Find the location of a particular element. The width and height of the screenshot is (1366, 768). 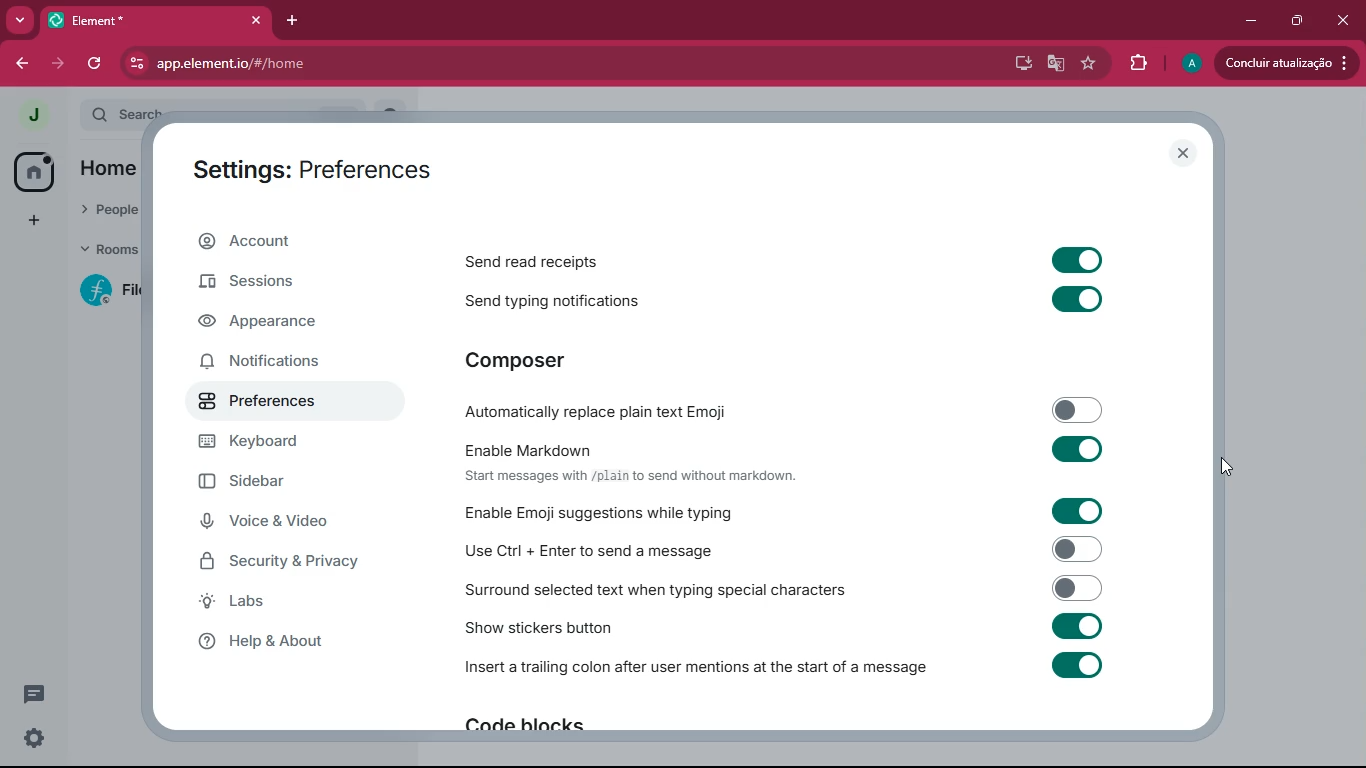

people is located at coordinates (112, 210).